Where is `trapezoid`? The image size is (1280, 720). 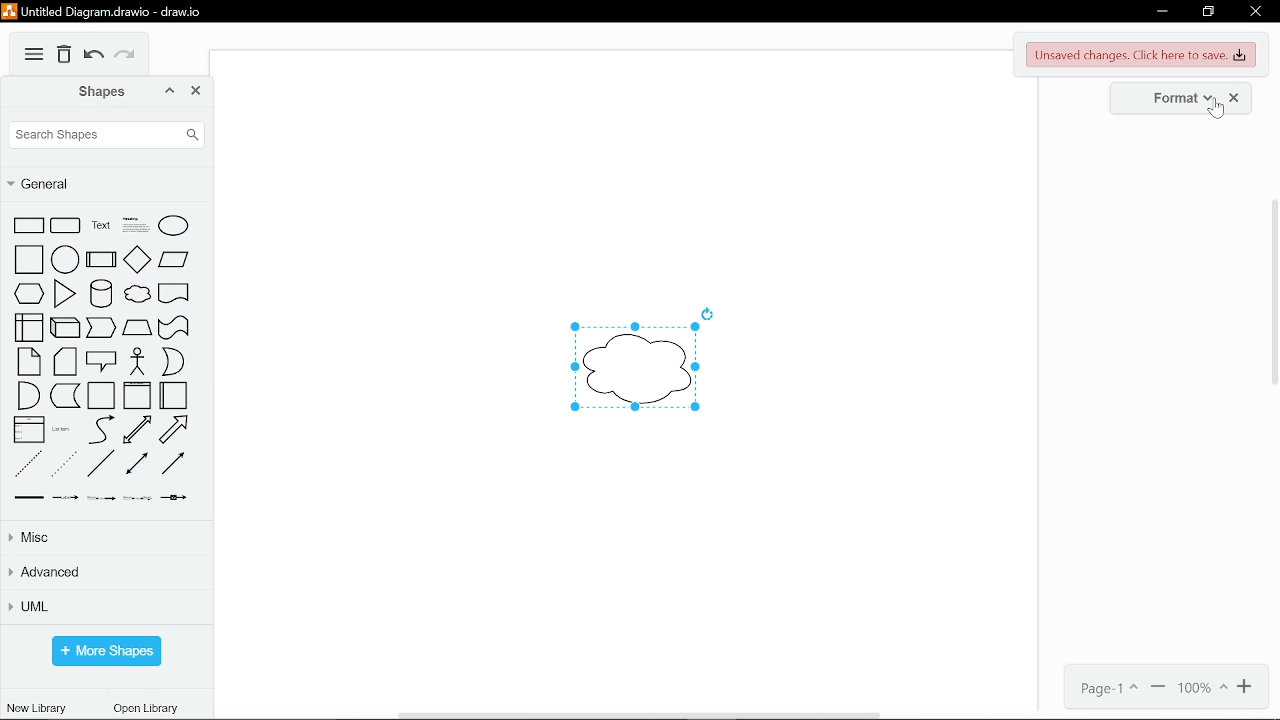
trapezoid is located at coordinates (138, 328).